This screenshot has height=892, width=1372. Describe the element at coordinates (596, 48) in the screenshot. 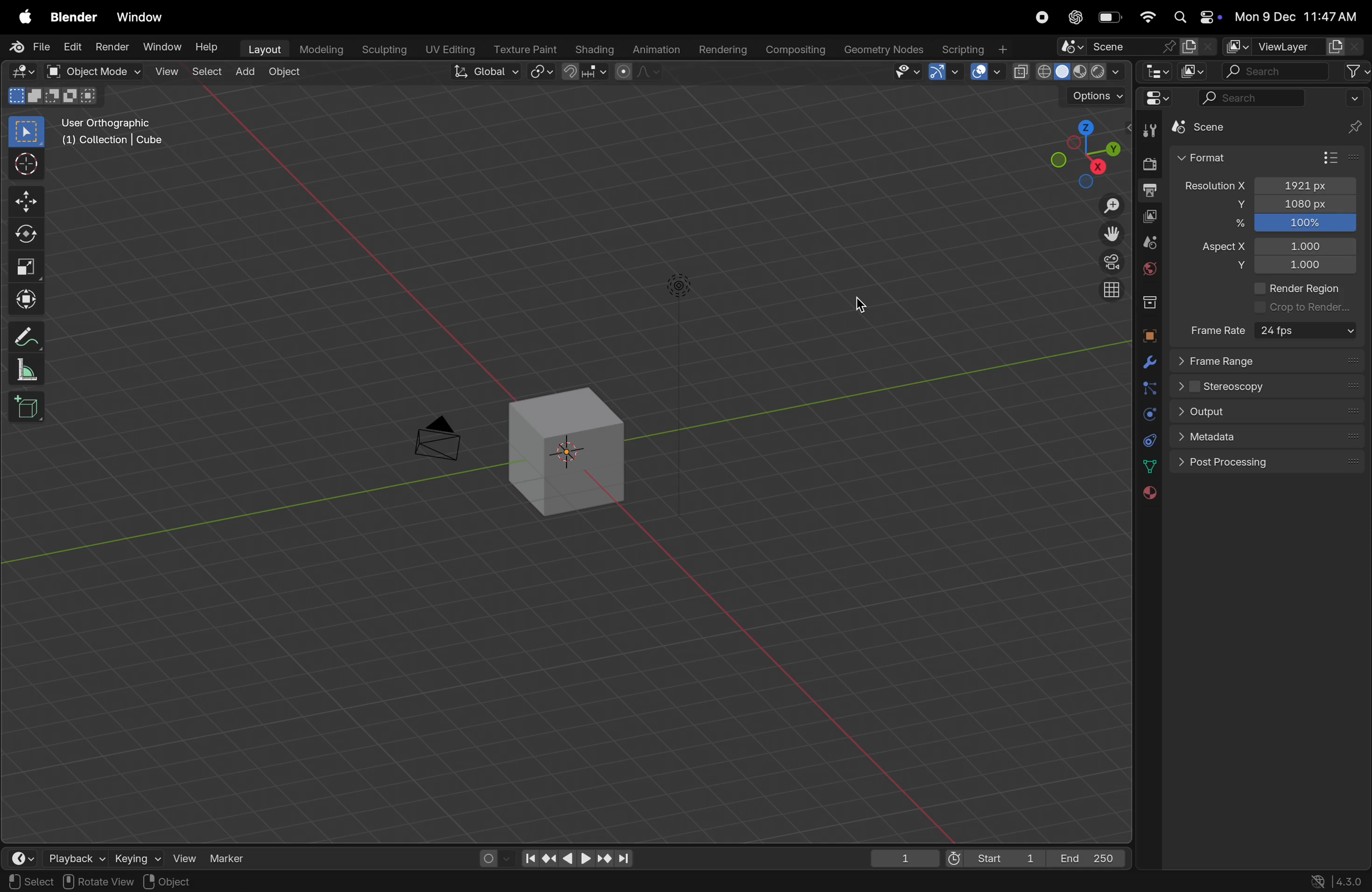

I see `Shading` at that location.